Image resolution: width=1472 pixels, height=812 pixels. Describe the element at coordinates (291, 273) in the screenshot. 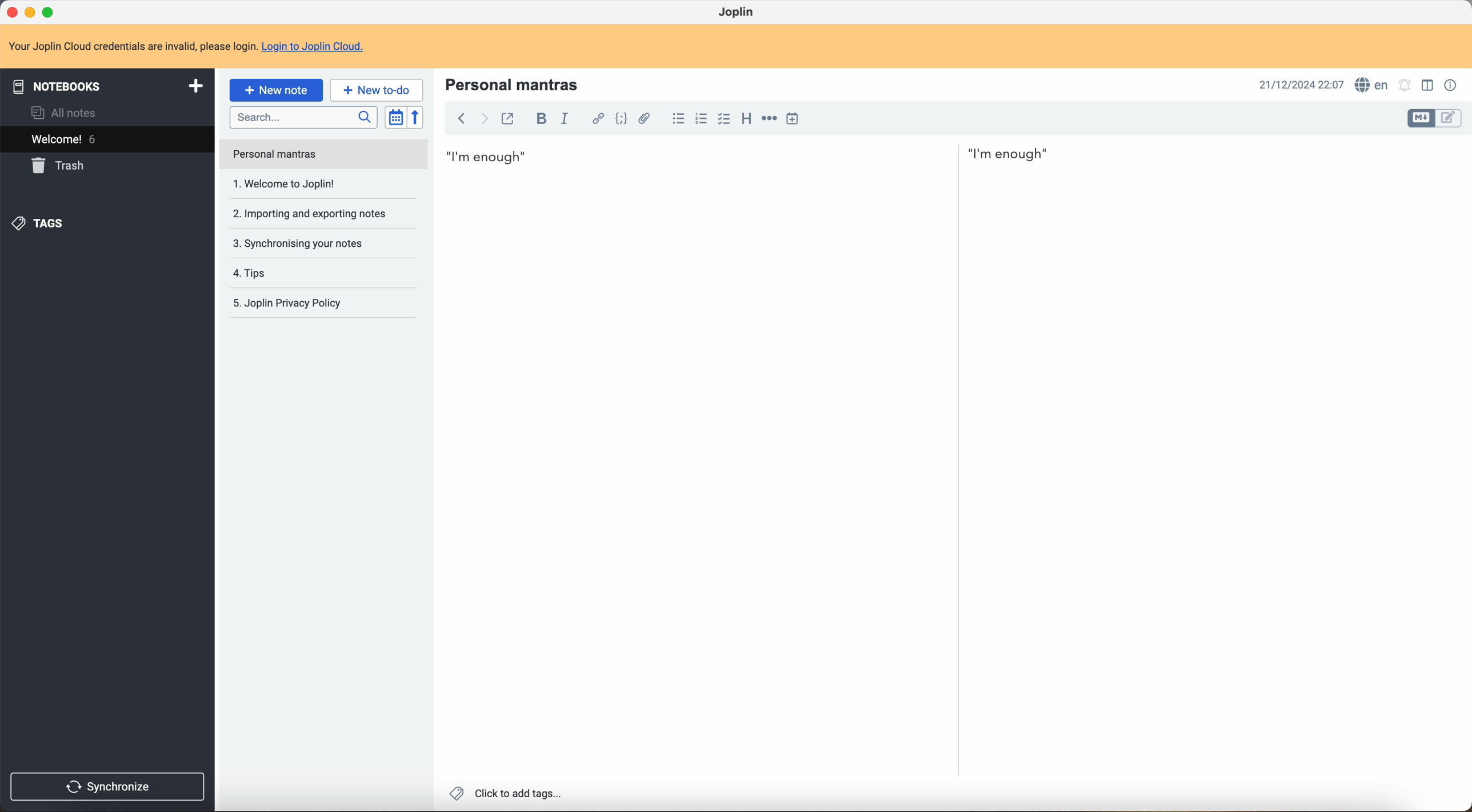

I see `Joplin privacy policy` at that location.